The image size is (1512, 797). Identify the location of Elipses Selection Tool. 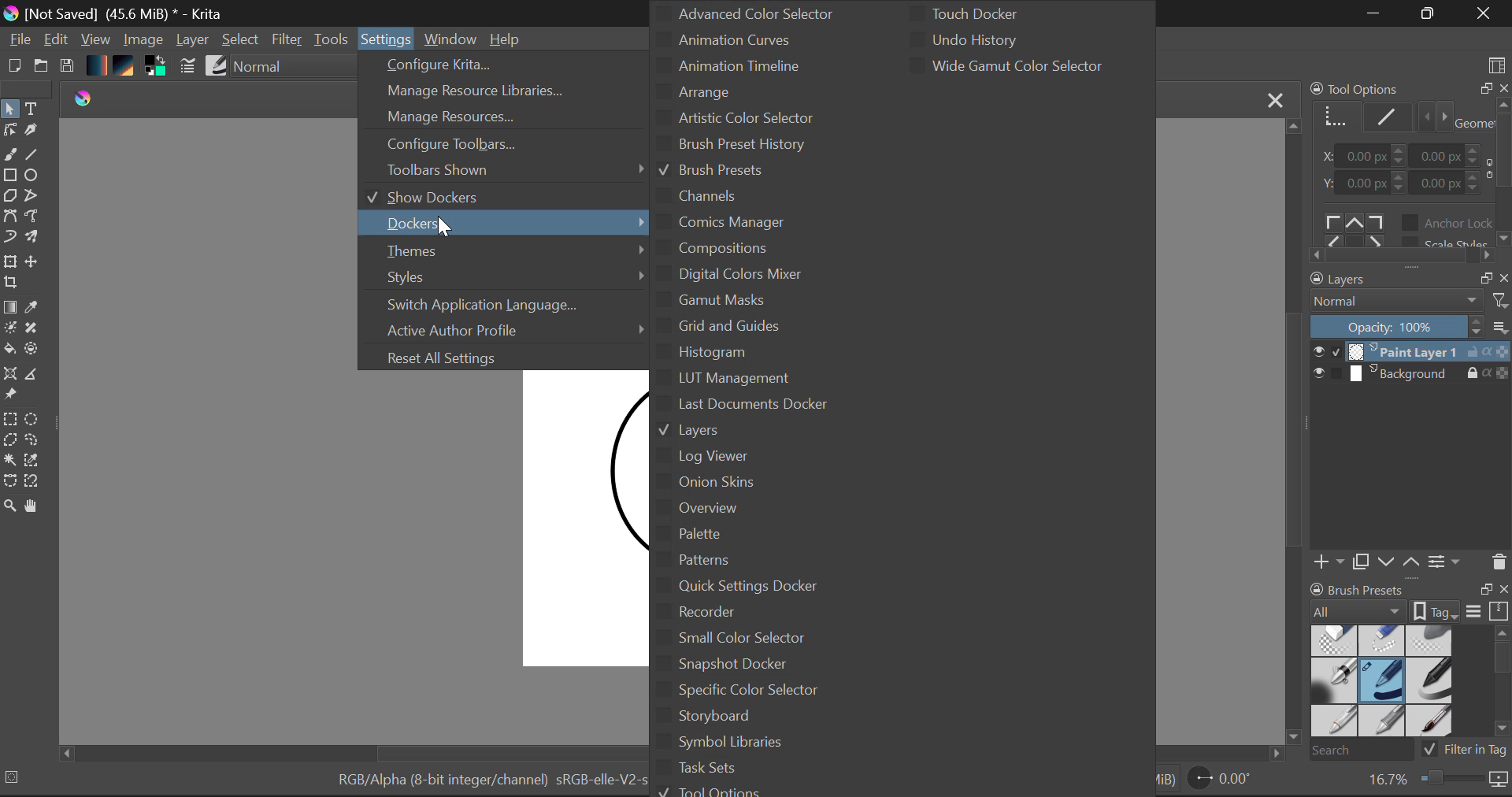
(34, 418).